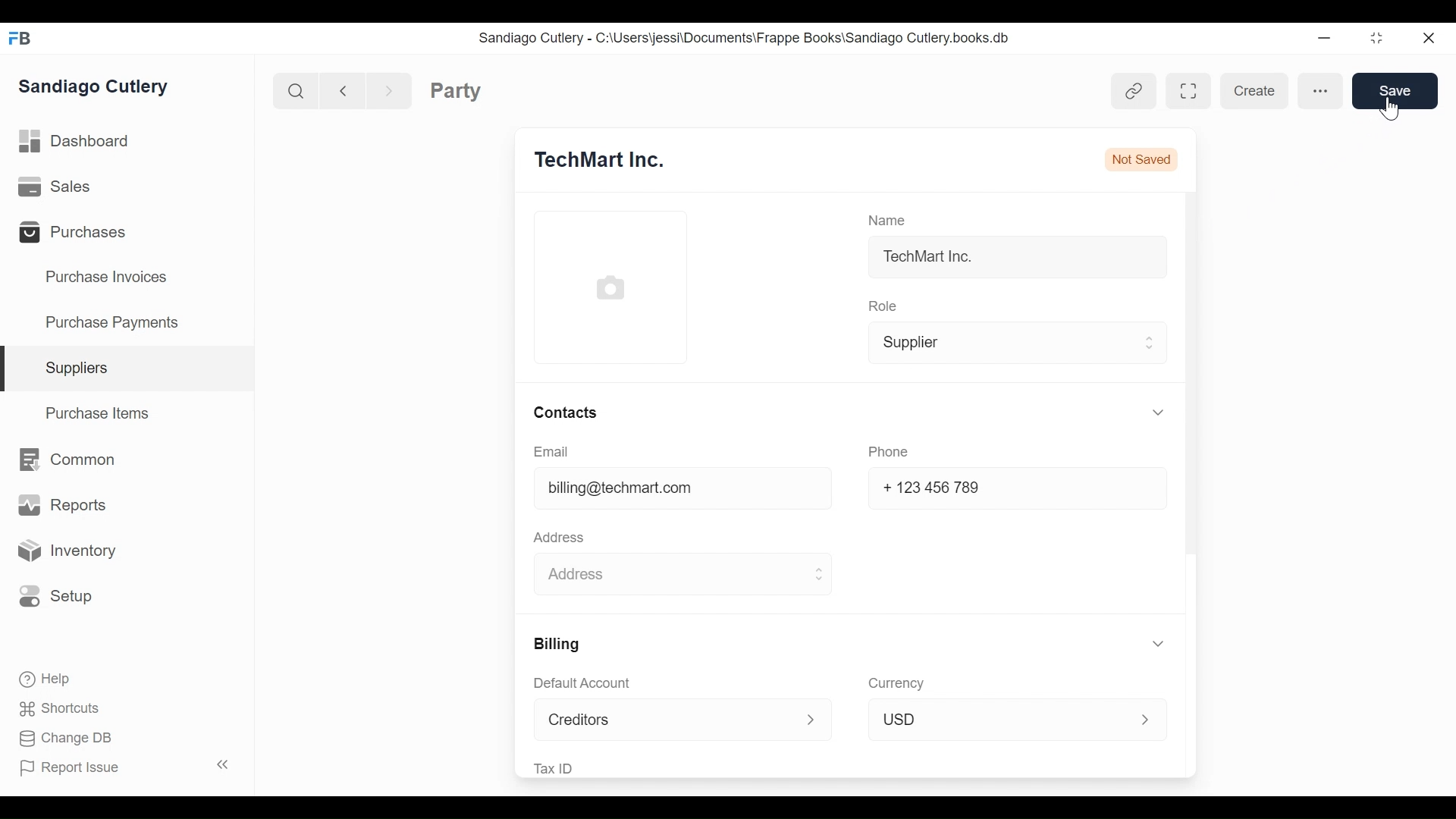 The width and height of the screenshot is (1456, 819). Describe the element at coordinates (298, 92) in the screenshot. I see `search` at that location.